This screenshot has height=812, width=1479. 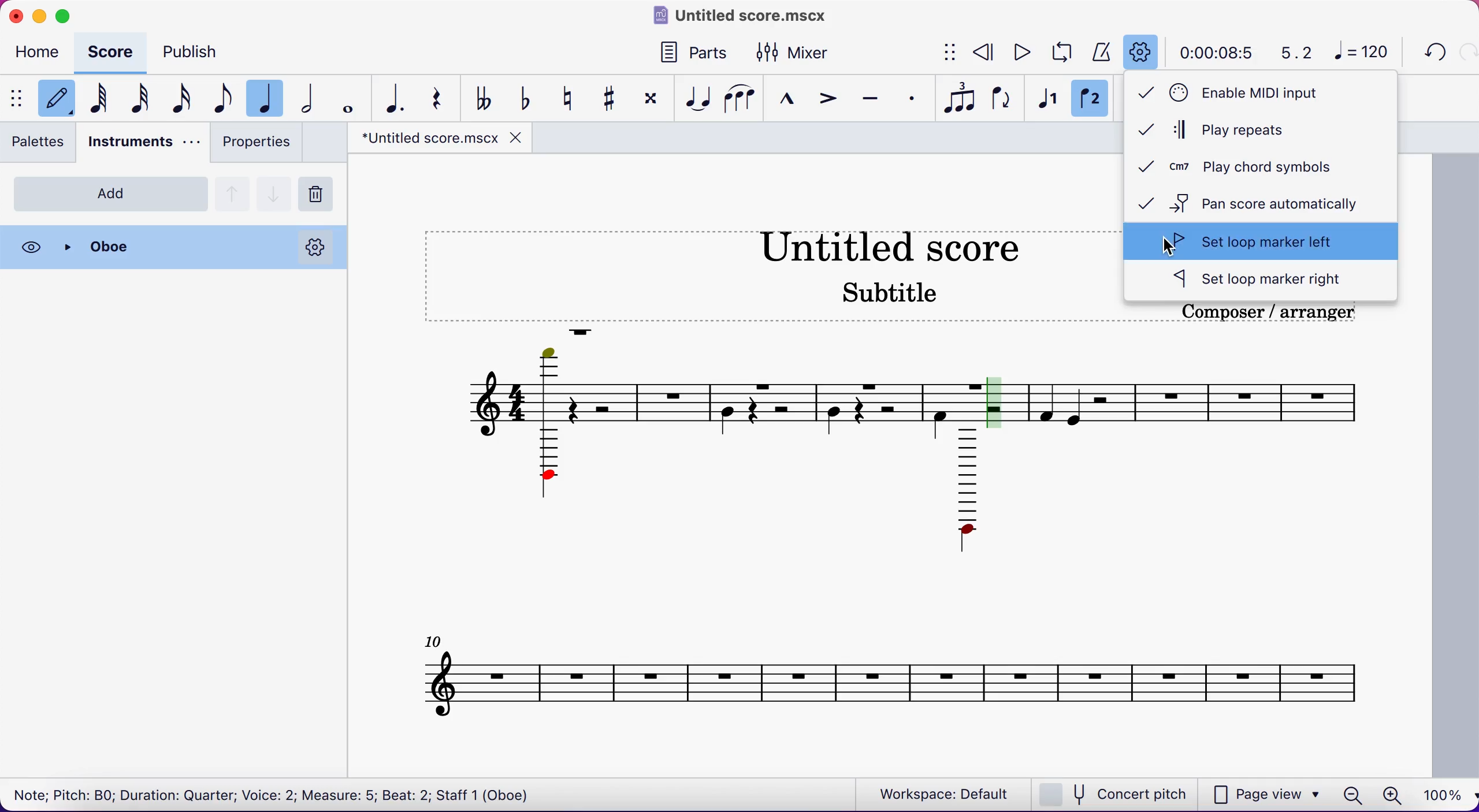 What do you see at coordinates (202, 50) in the screenshot?
I see `publish` at bounding box center [202, 50].